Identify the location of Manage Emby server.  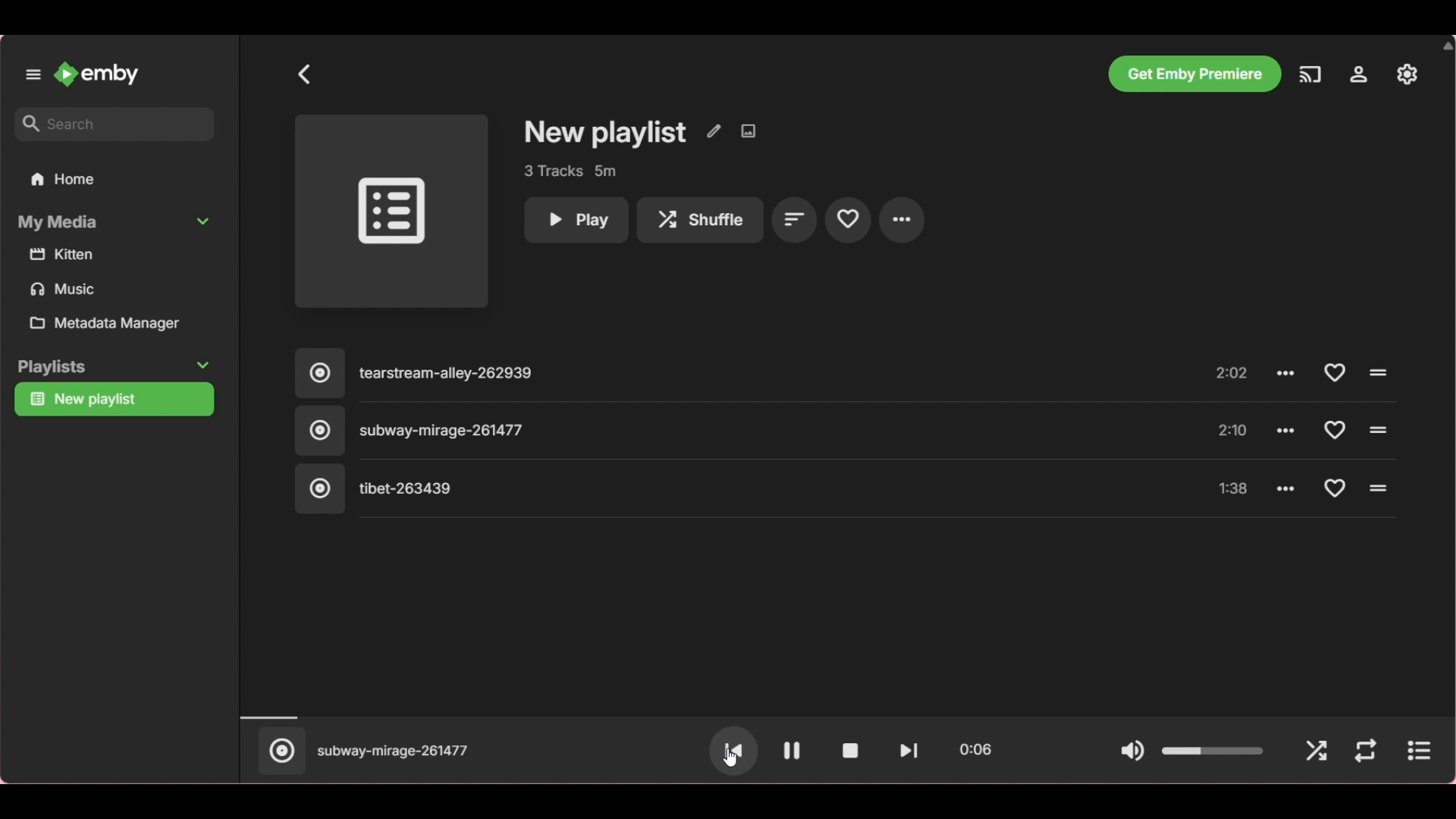
(1407, 74).